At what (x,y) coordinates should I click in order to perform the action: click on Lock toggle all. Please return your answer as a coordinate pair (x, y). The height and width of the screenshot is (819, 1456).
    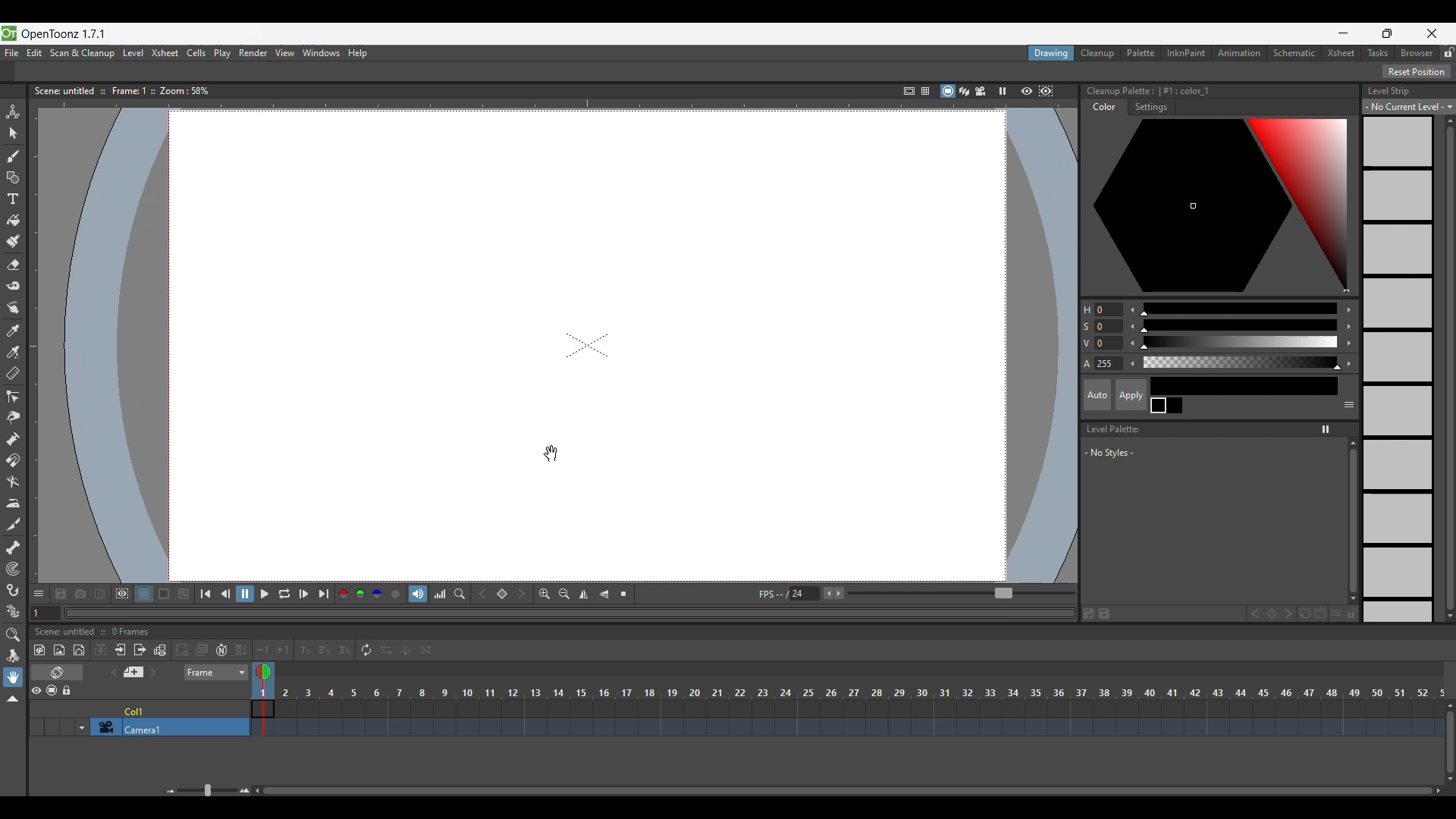
    Looking at the image, I should click on (77, 690).